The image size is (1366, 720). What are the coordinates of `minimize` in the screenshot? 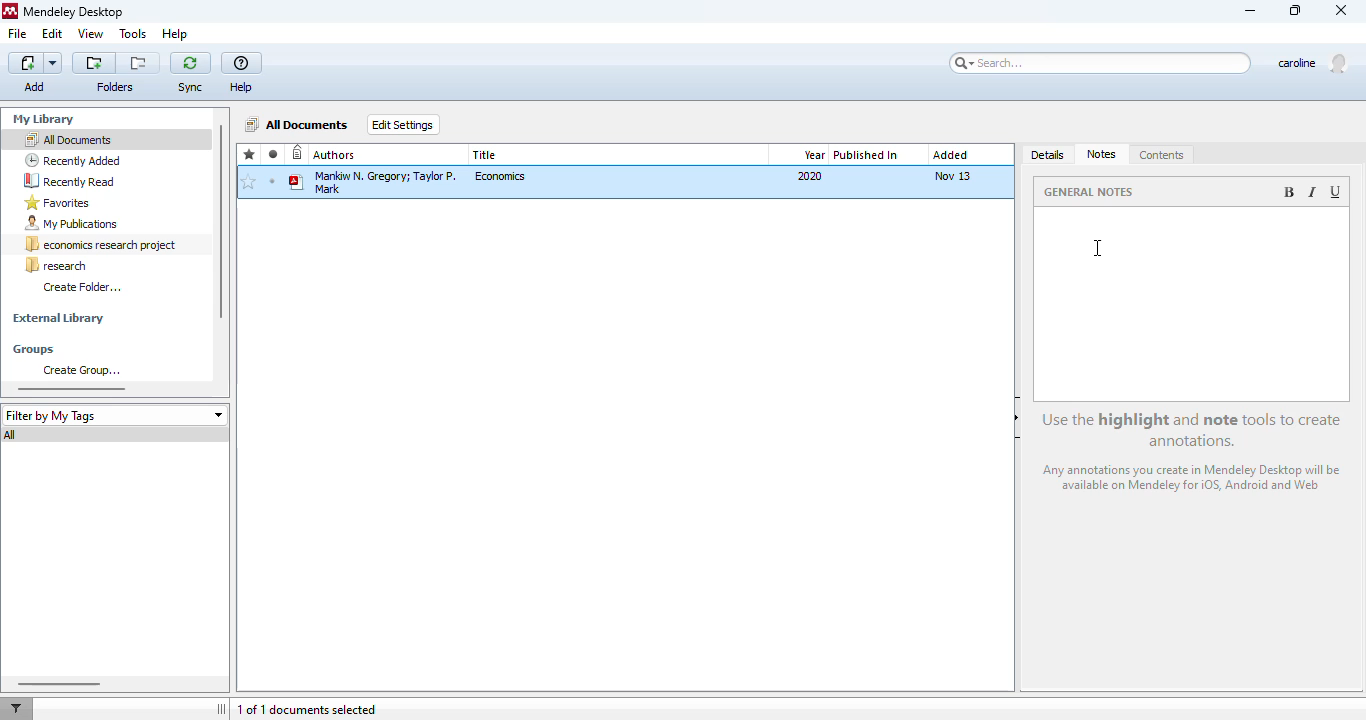 It's located at (1251, 12).